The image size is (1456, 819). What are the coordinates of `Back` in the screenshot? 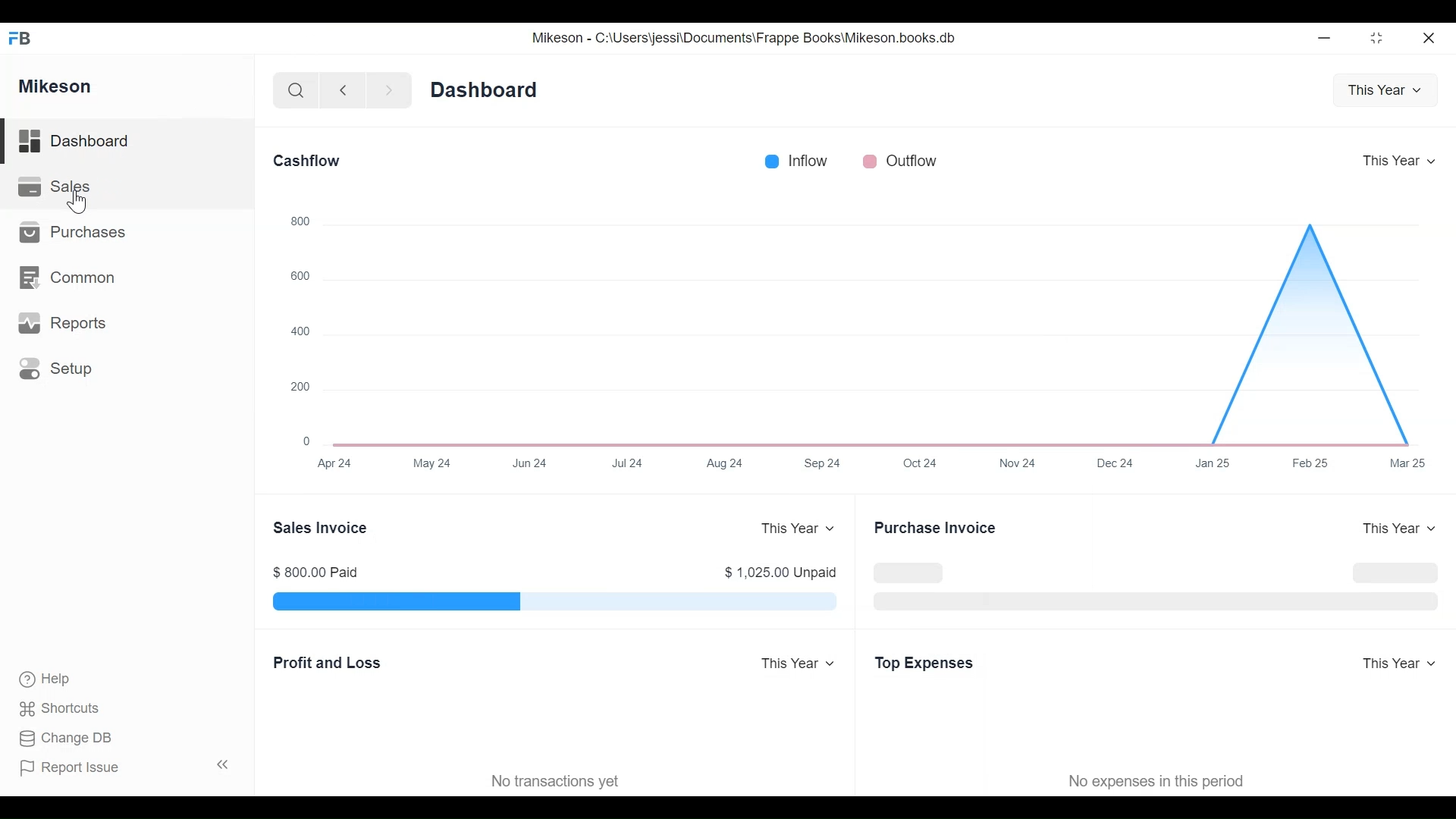 It's located at (350, 89).